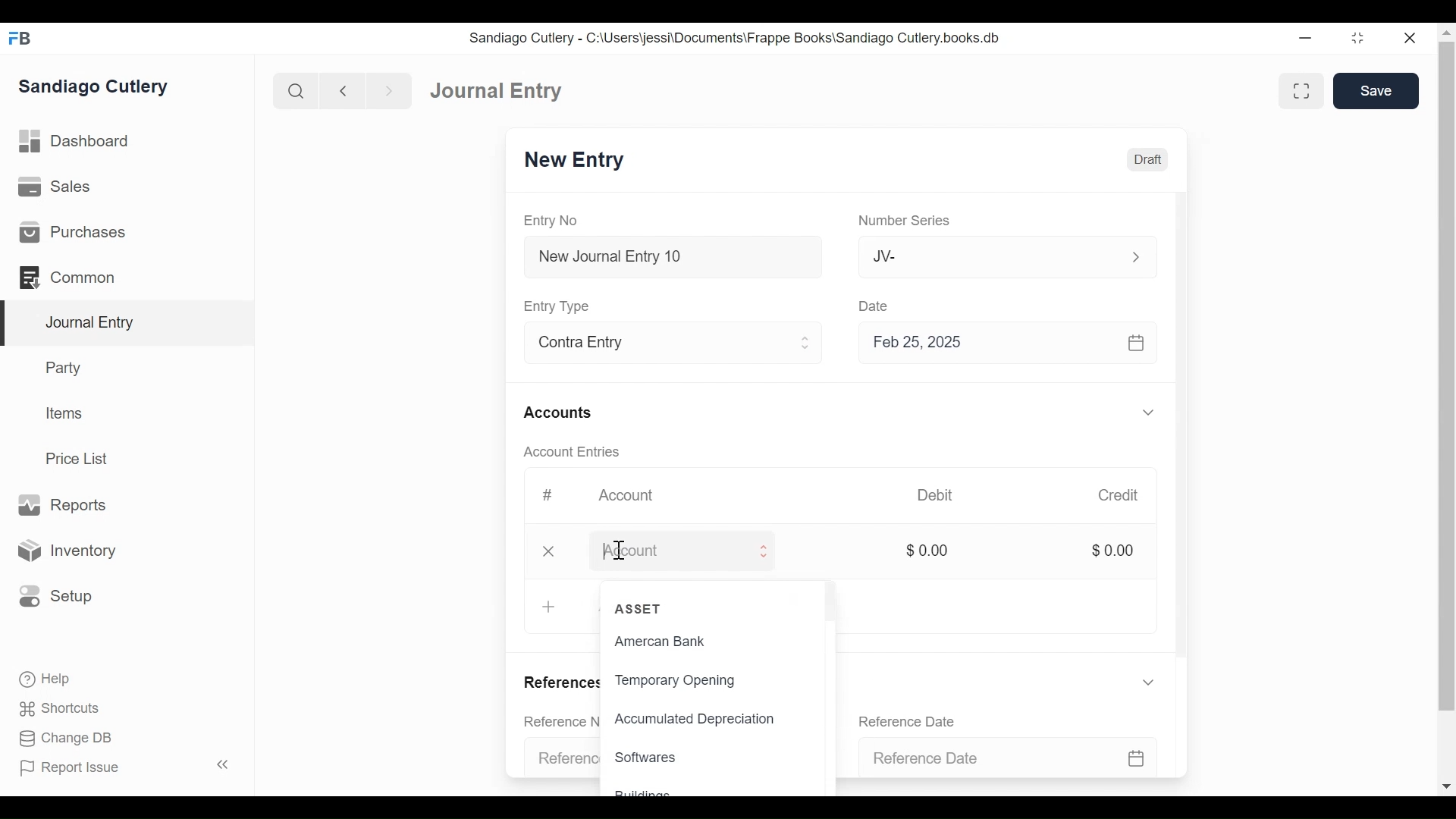 The width and height of the screenshot is (1456, 819). What do you see at coordinates (42, 677) in the screenshot?
I see `Help` at bounding box center [42, 677].